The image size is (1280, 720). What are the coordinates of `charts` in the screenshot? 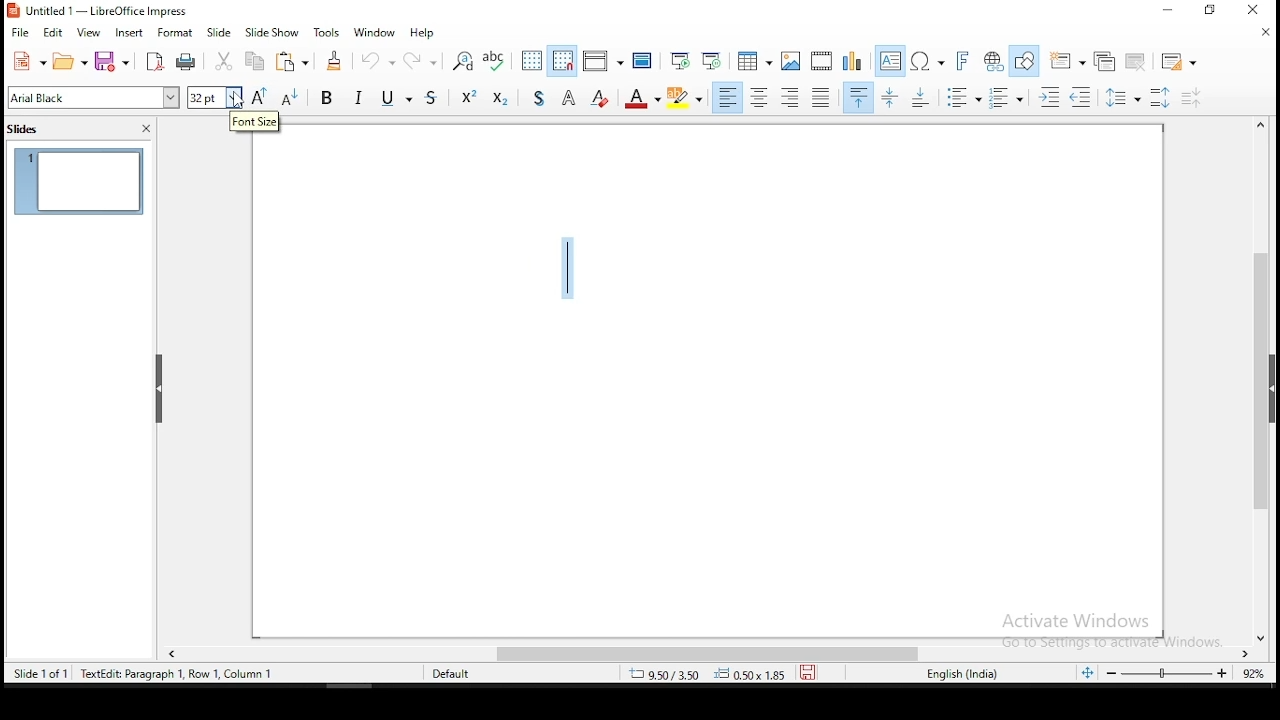 It's located at (853, 60).